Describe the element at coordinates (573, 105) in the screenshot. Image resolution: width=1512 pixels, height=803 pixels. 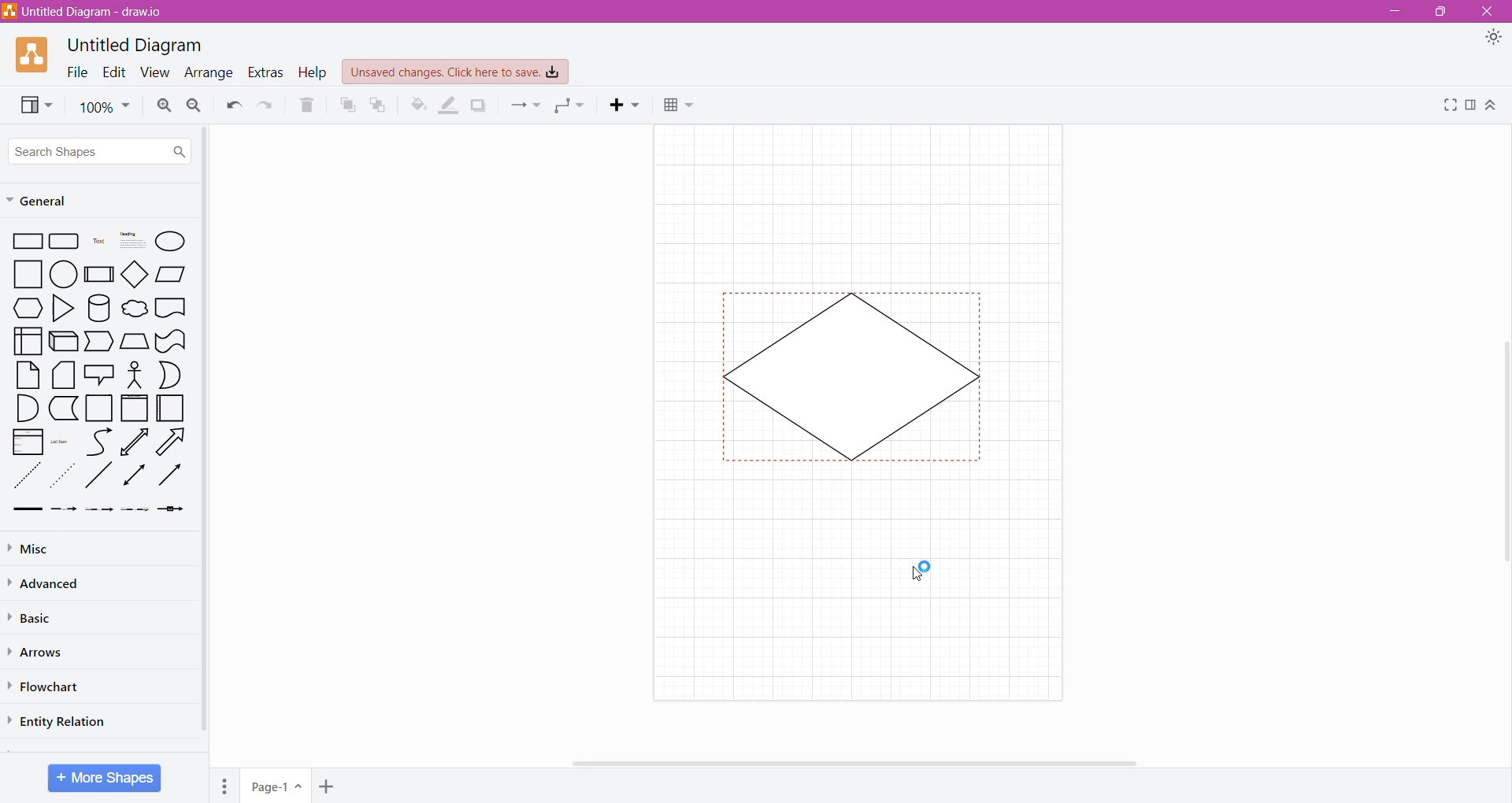
I see `Waypoints` at that location.